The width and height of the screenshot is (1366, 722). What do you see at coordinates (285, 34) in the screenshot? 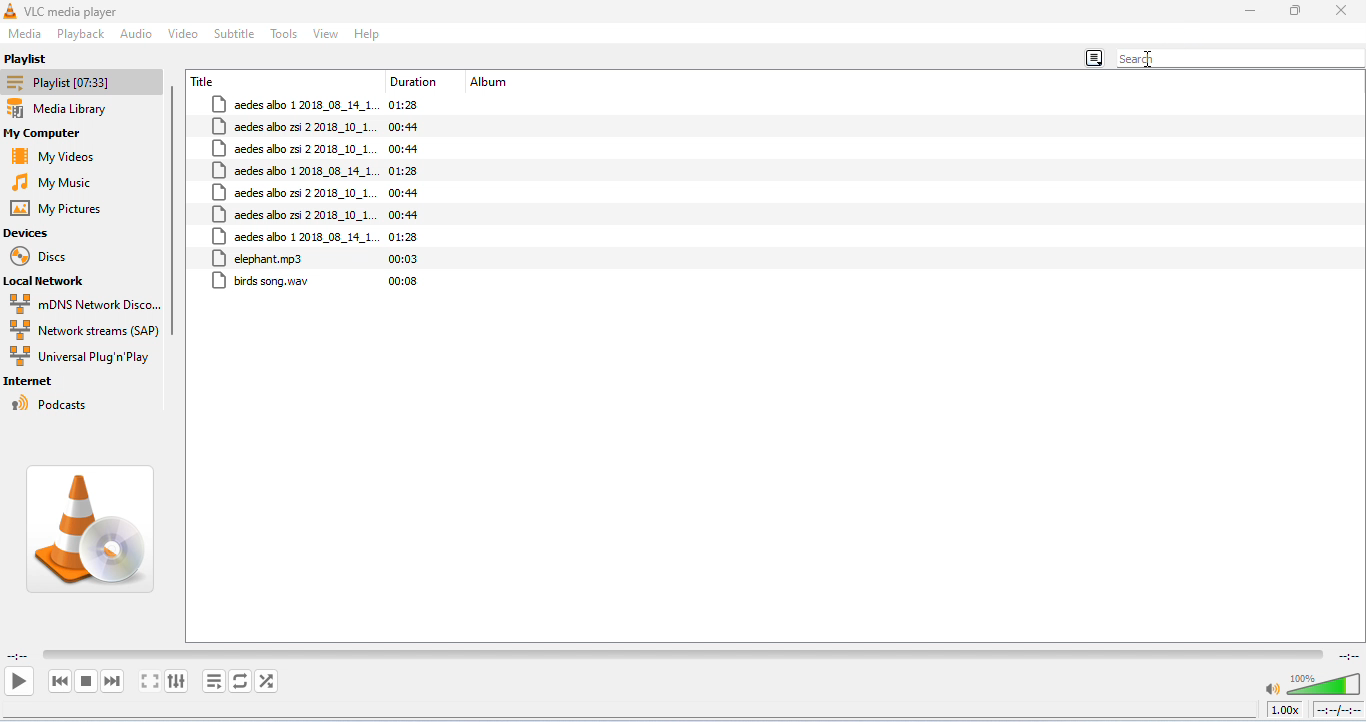
I see `tools` at bounding box center [285, 34].